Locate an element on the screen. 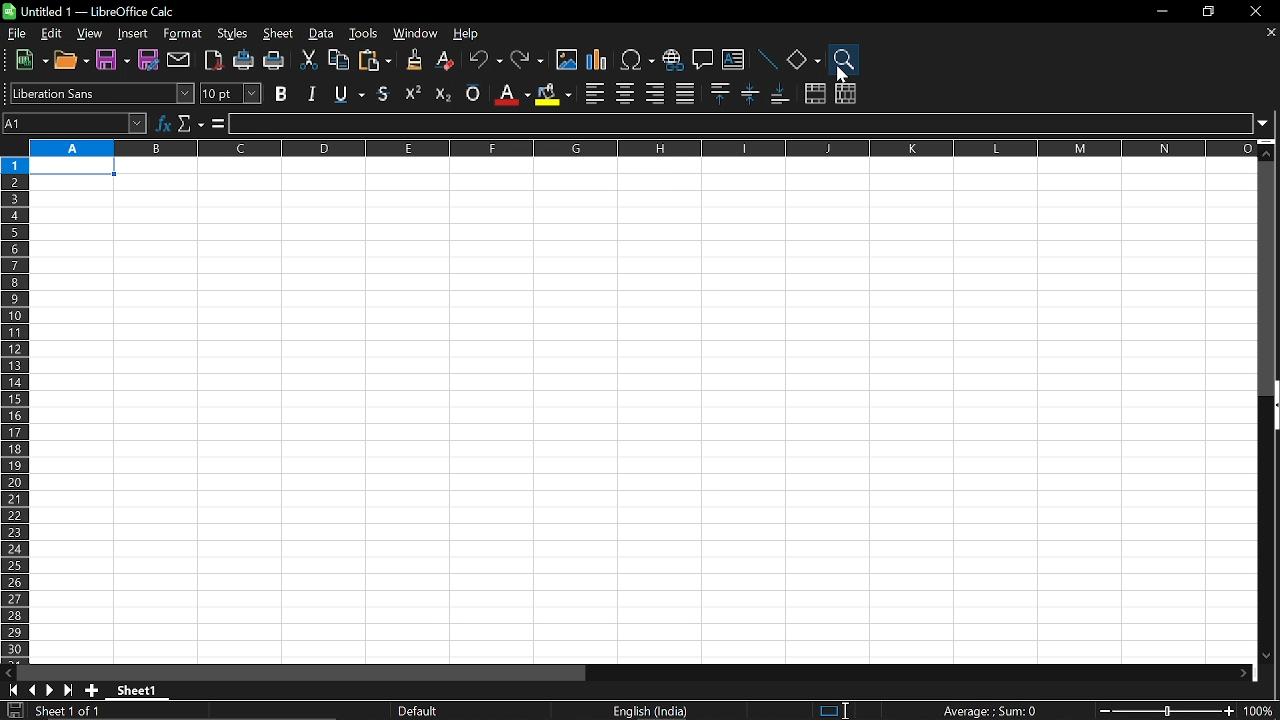 Image resolution: width=1280 pixels, height=720 pixels. file is located at coordinates (18, 34).